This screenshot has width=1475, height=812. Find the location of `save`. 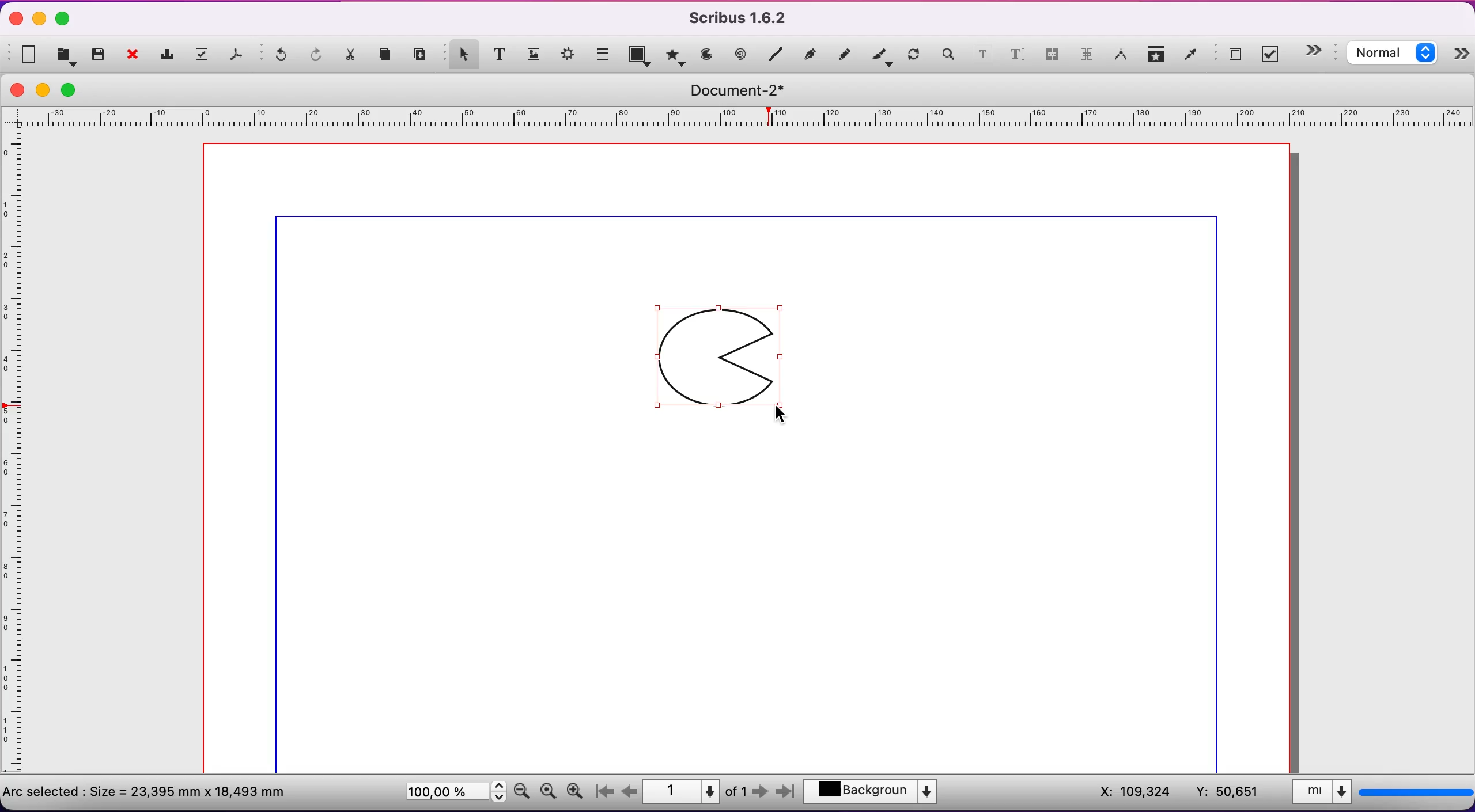

save is located at coordinates (99, 55).